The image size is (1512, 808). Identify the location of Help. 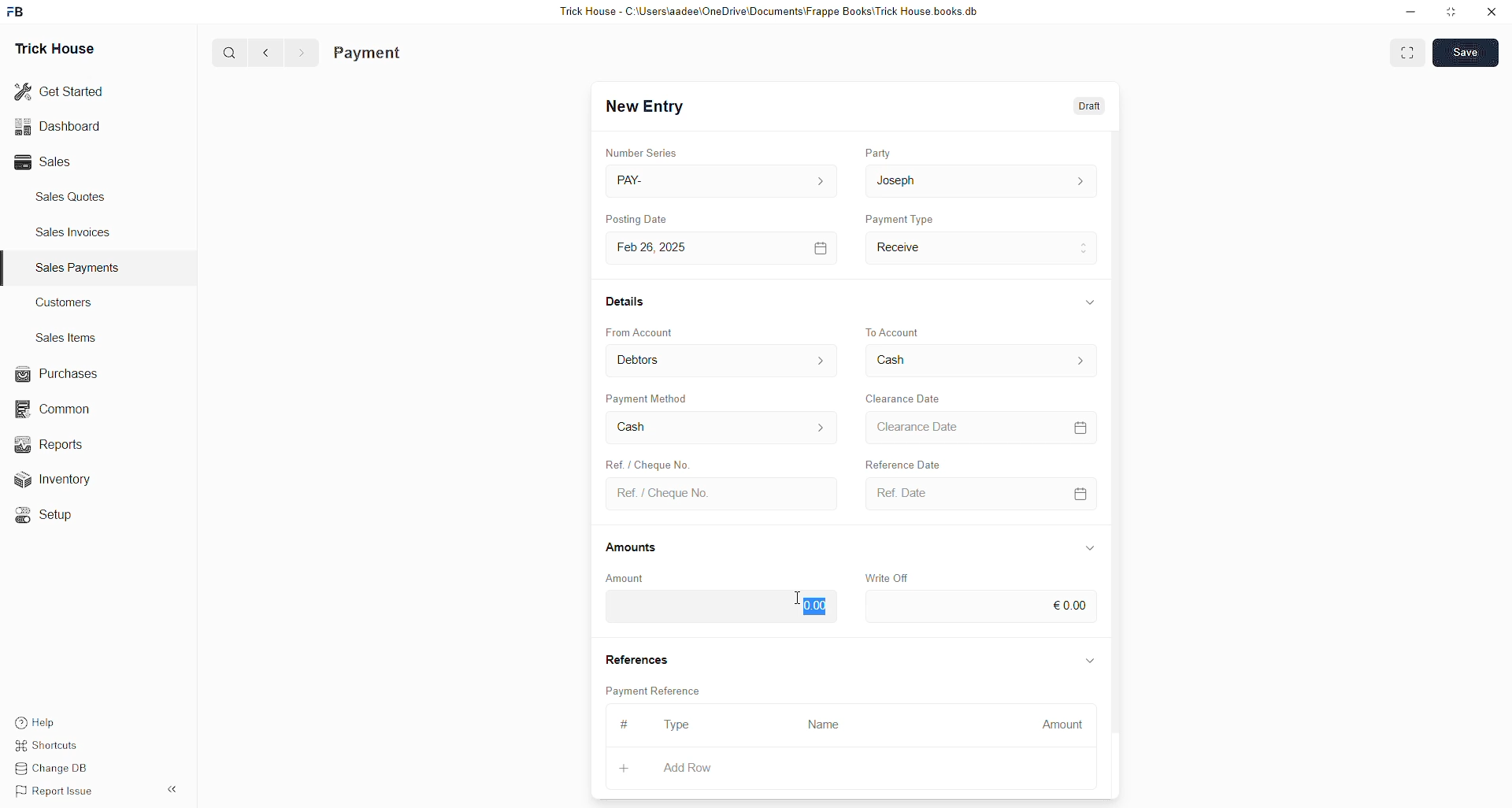
(38, 718).